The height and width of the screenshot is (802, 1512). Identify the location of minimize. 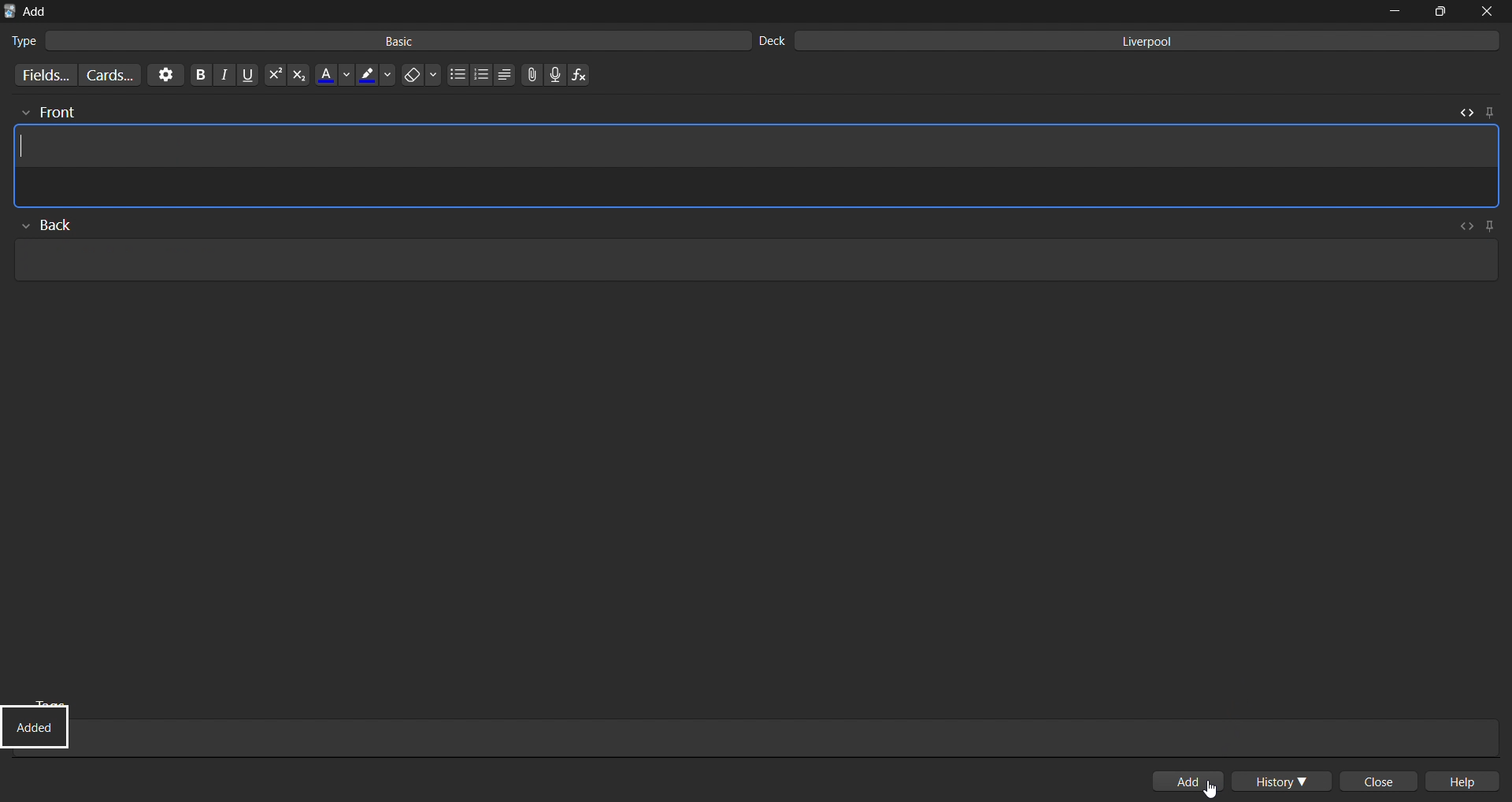
(1393, 11).